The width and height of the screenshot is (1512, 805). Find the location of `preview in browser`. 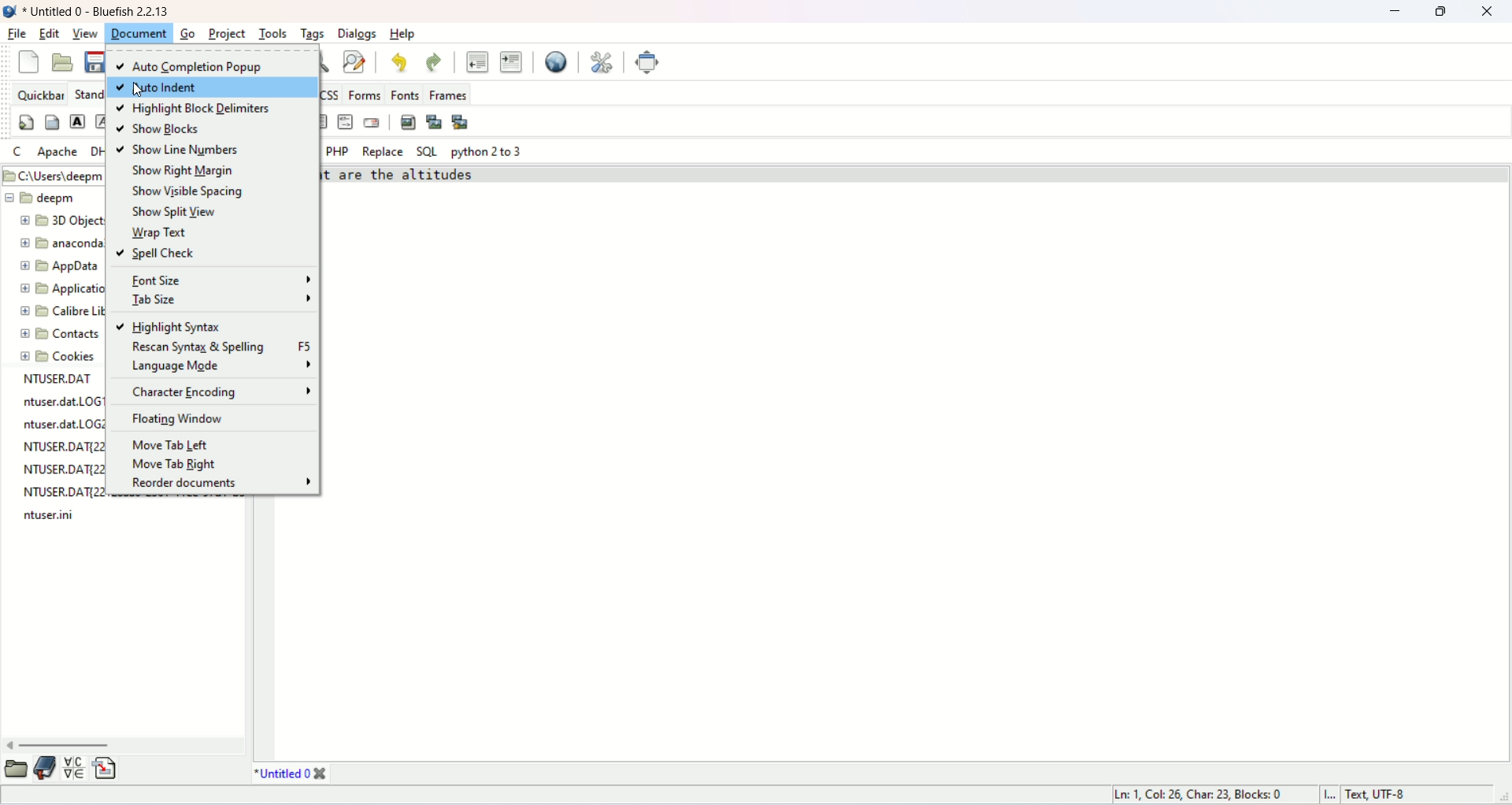

preview in browser is located at coordinates (556, 62).